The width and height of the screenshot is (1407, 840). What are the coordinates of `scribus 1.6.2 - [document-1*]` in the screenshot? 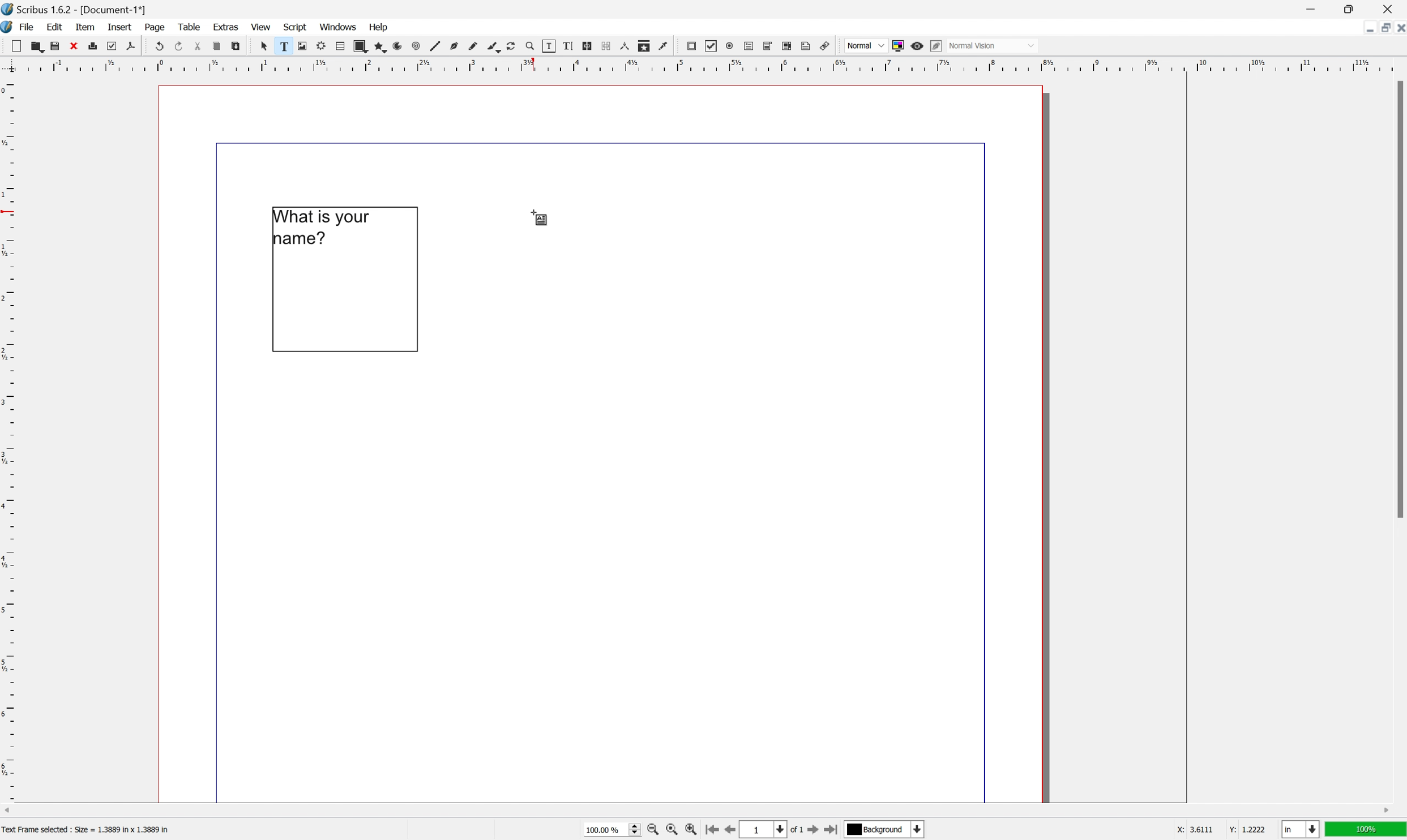 It's located at (74, 8).